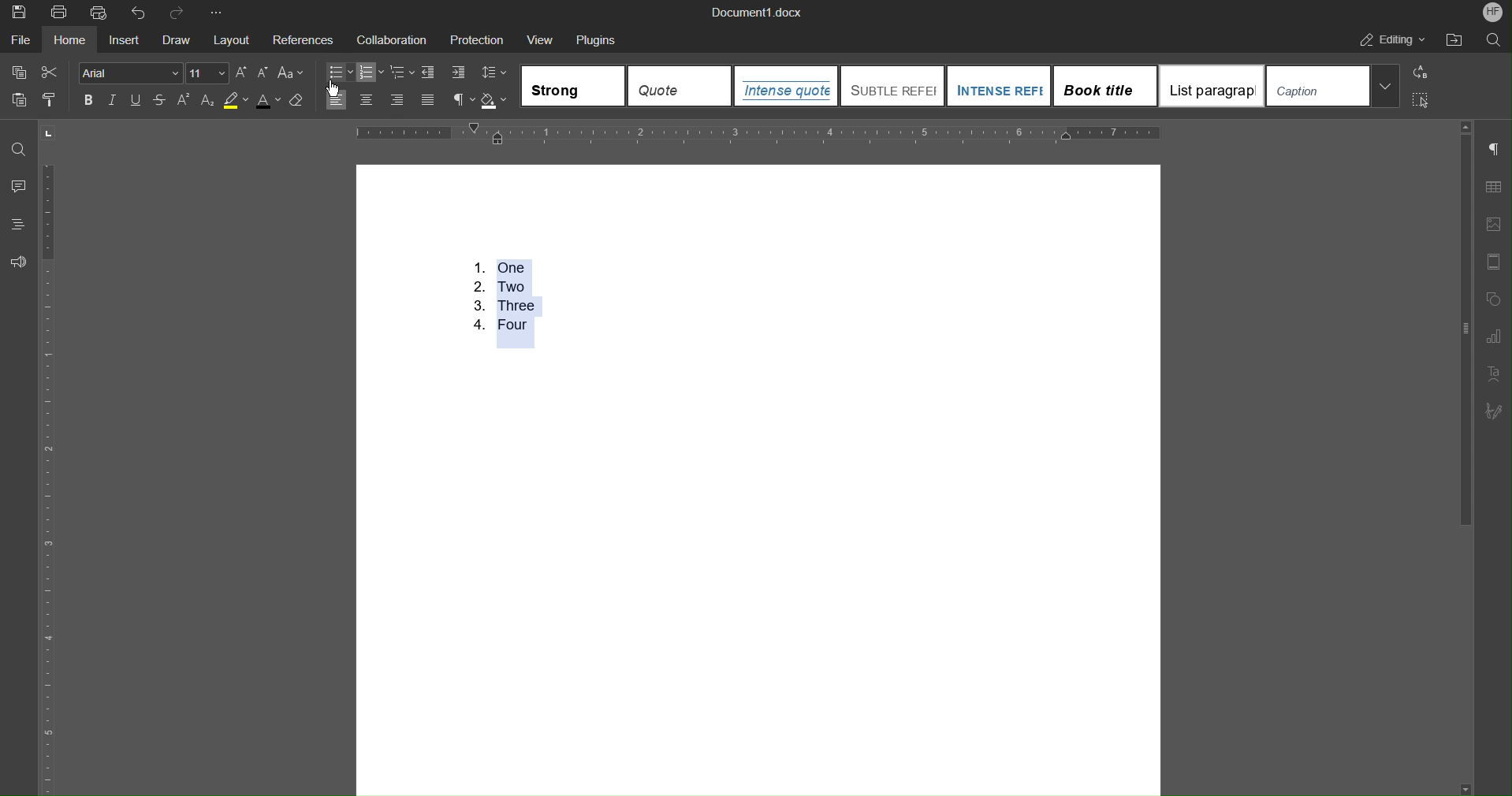 The height and width of the screenshot is (796, 1512). What do you see at coordinates (131, 73) in the screenshot?
I see `Font` at bounding box center [131, 73].